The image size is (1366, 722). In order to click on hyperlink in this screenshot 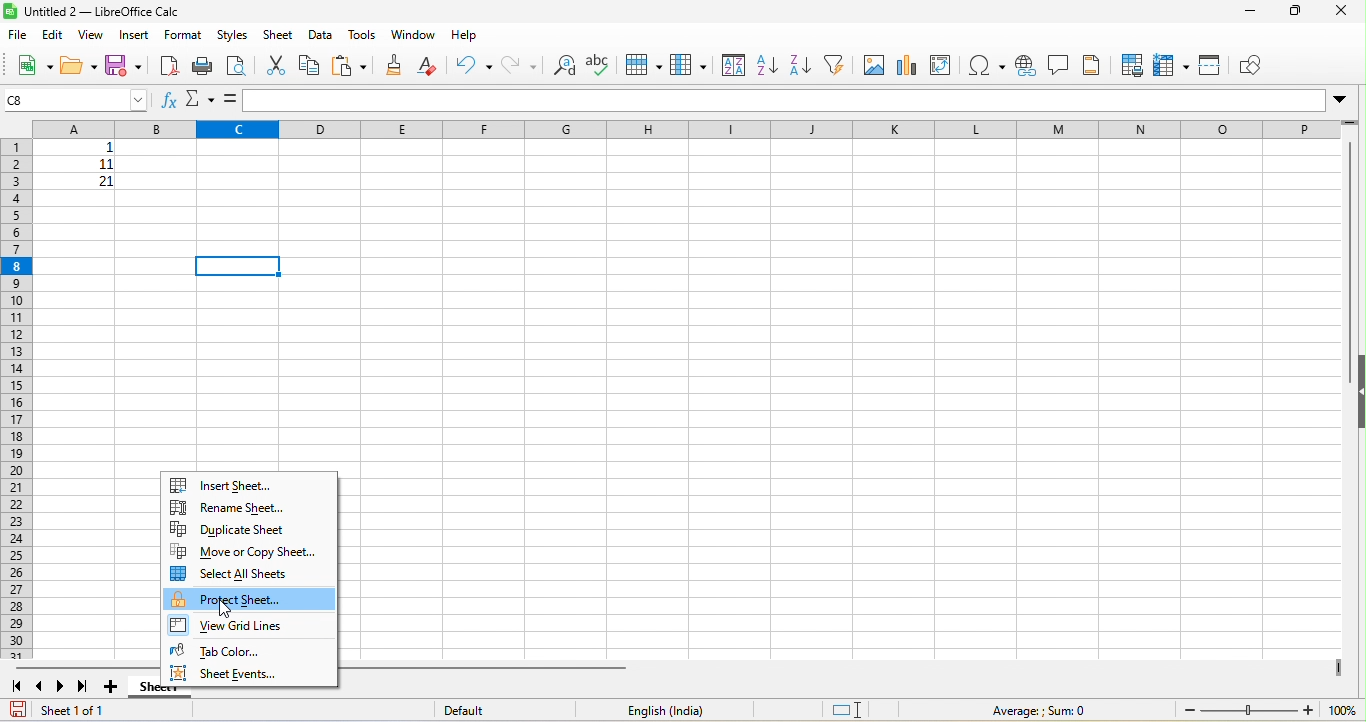, I will do `click(1024, 64)`.